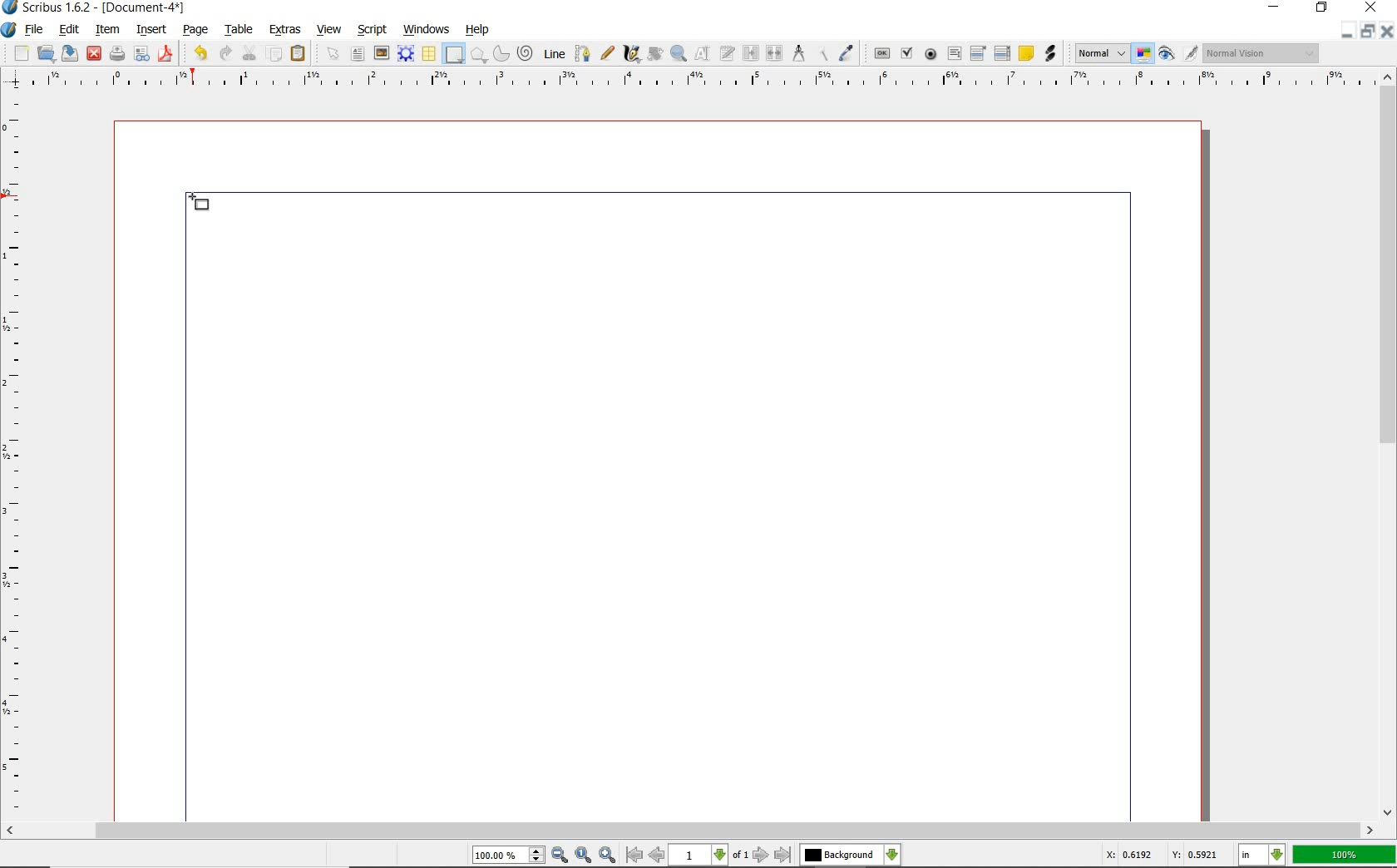 The height and width of the screenshot is (868, 1397). Describe the element at coordinates (96, 8) in the screenshot. I see `Scribus 1.6.2 - [Document-4*]` at that location.